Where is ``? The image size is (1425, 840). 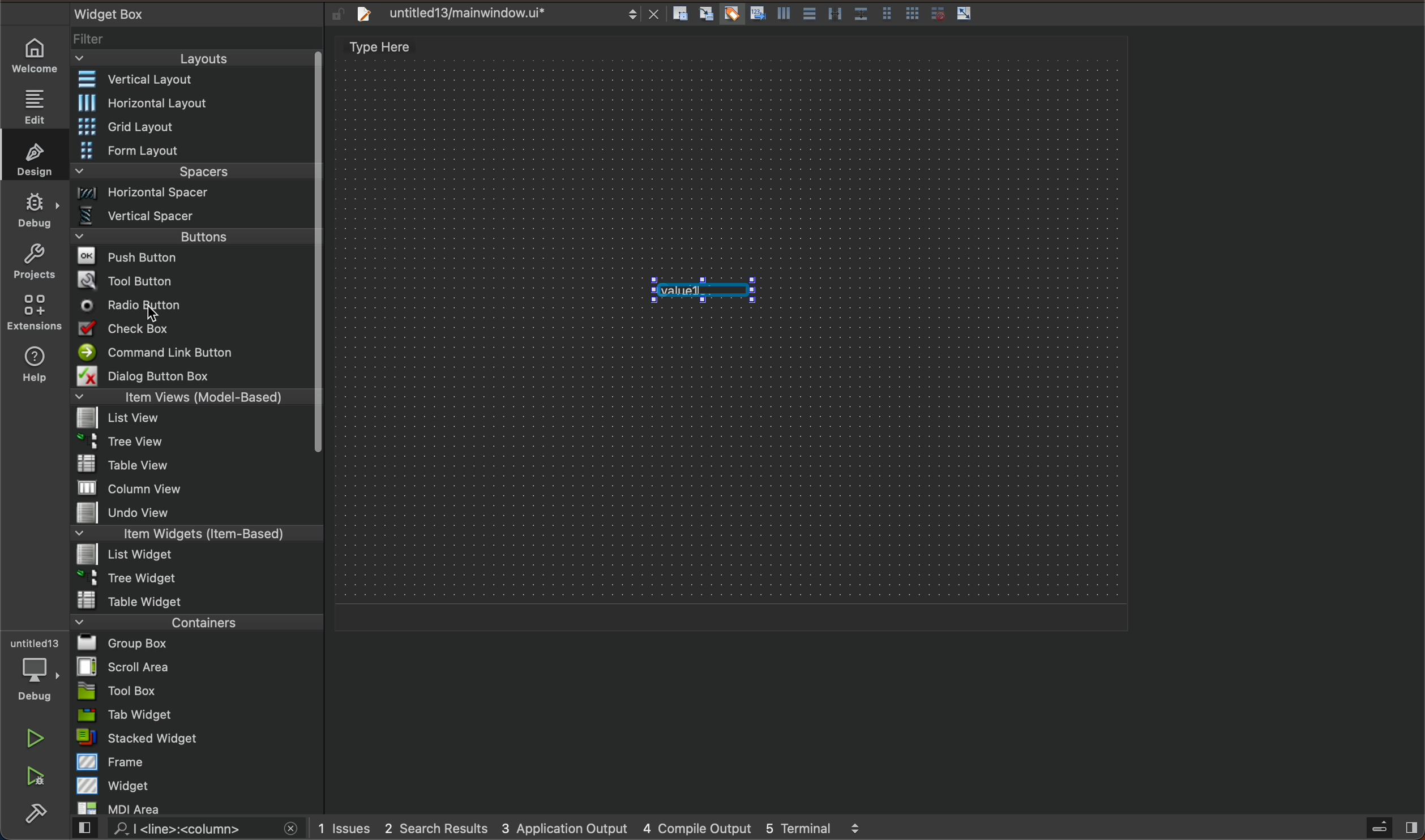
 is located at coordinates (193, 556).